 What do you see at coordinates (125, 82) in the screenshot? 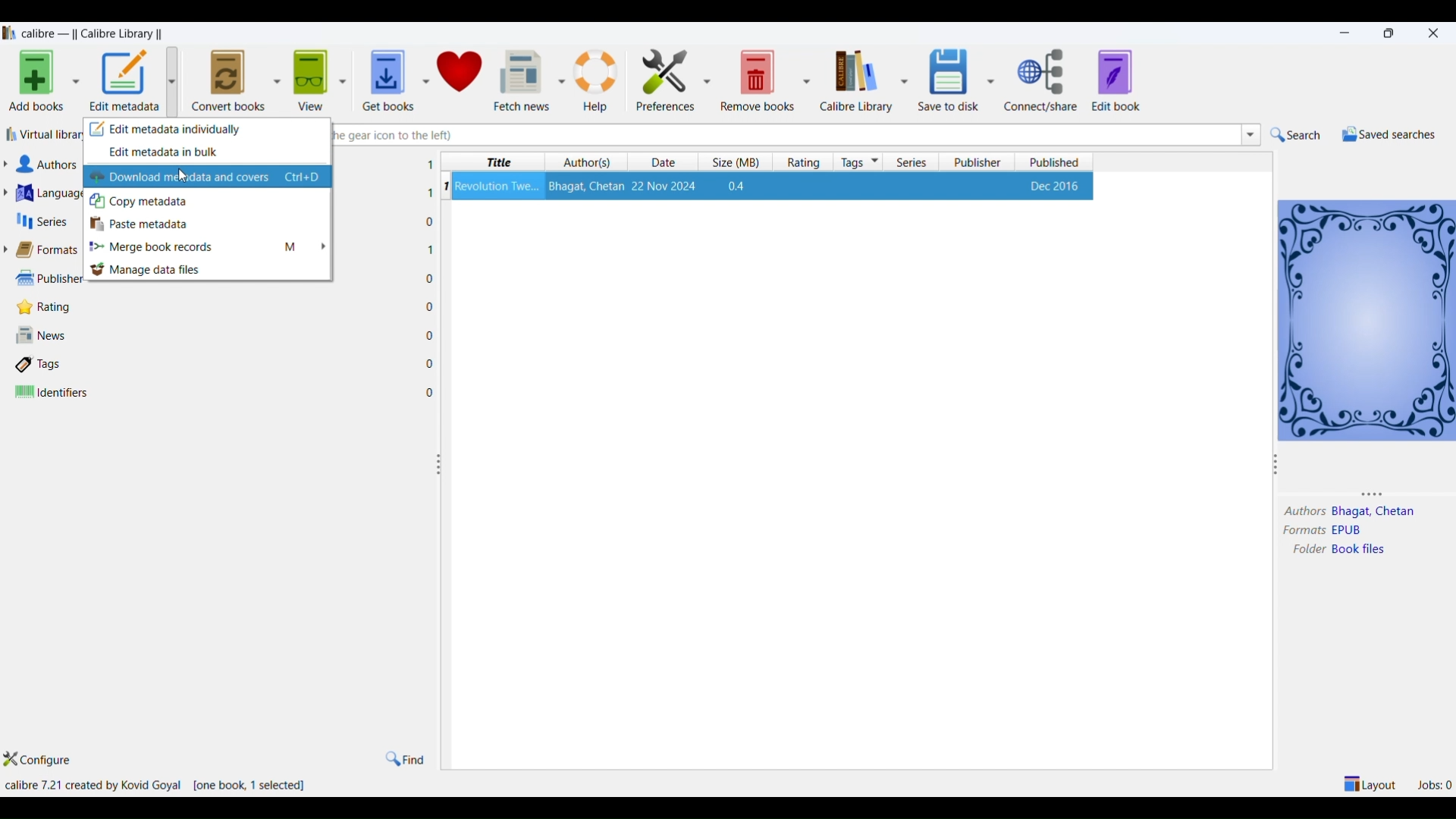
I see `edit metadata` at bounding box center [125, 82].